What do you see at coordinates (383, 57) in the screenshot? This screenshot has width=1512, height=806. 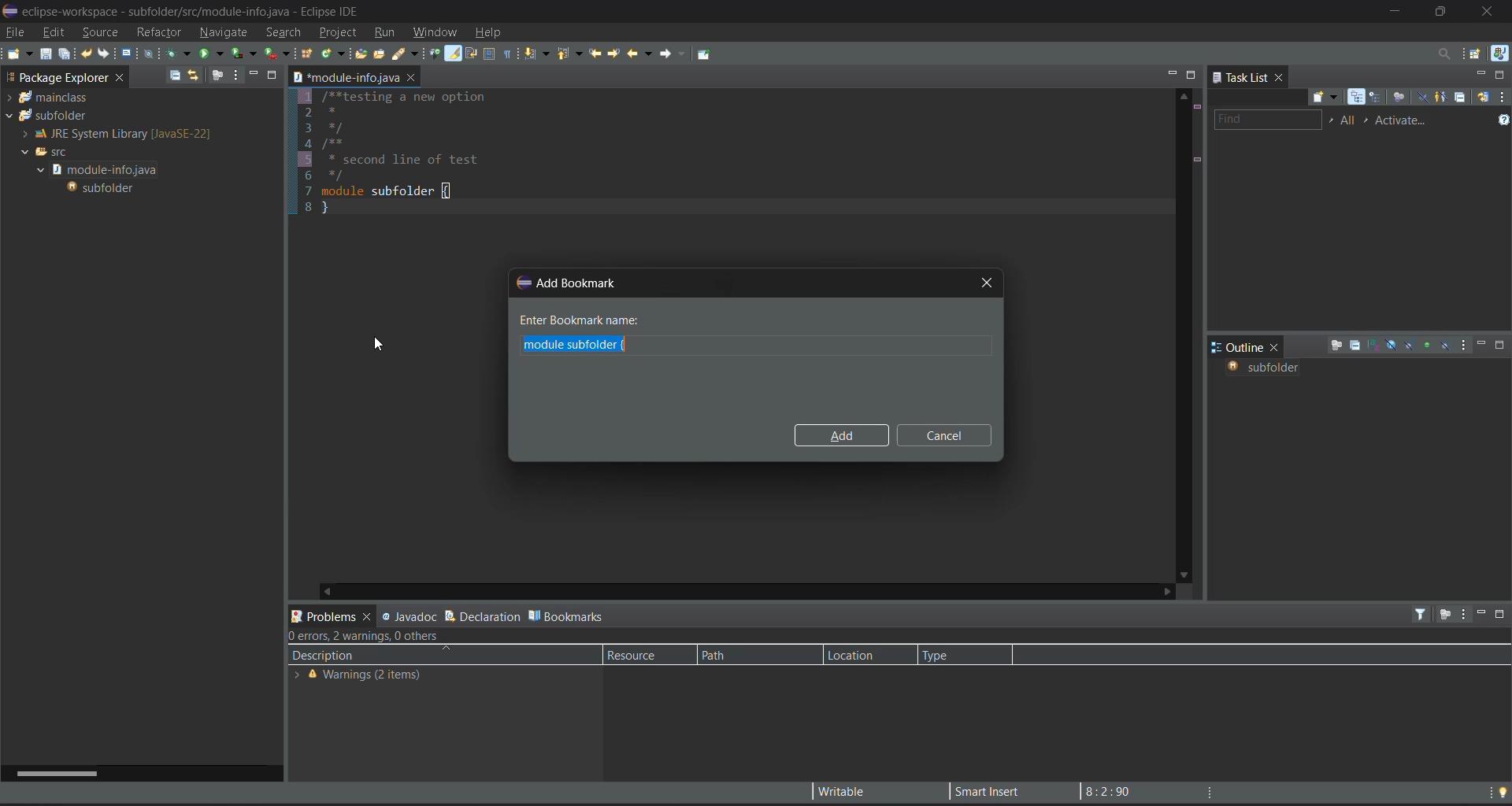 I see `open task` at bounding box center [383, 57].